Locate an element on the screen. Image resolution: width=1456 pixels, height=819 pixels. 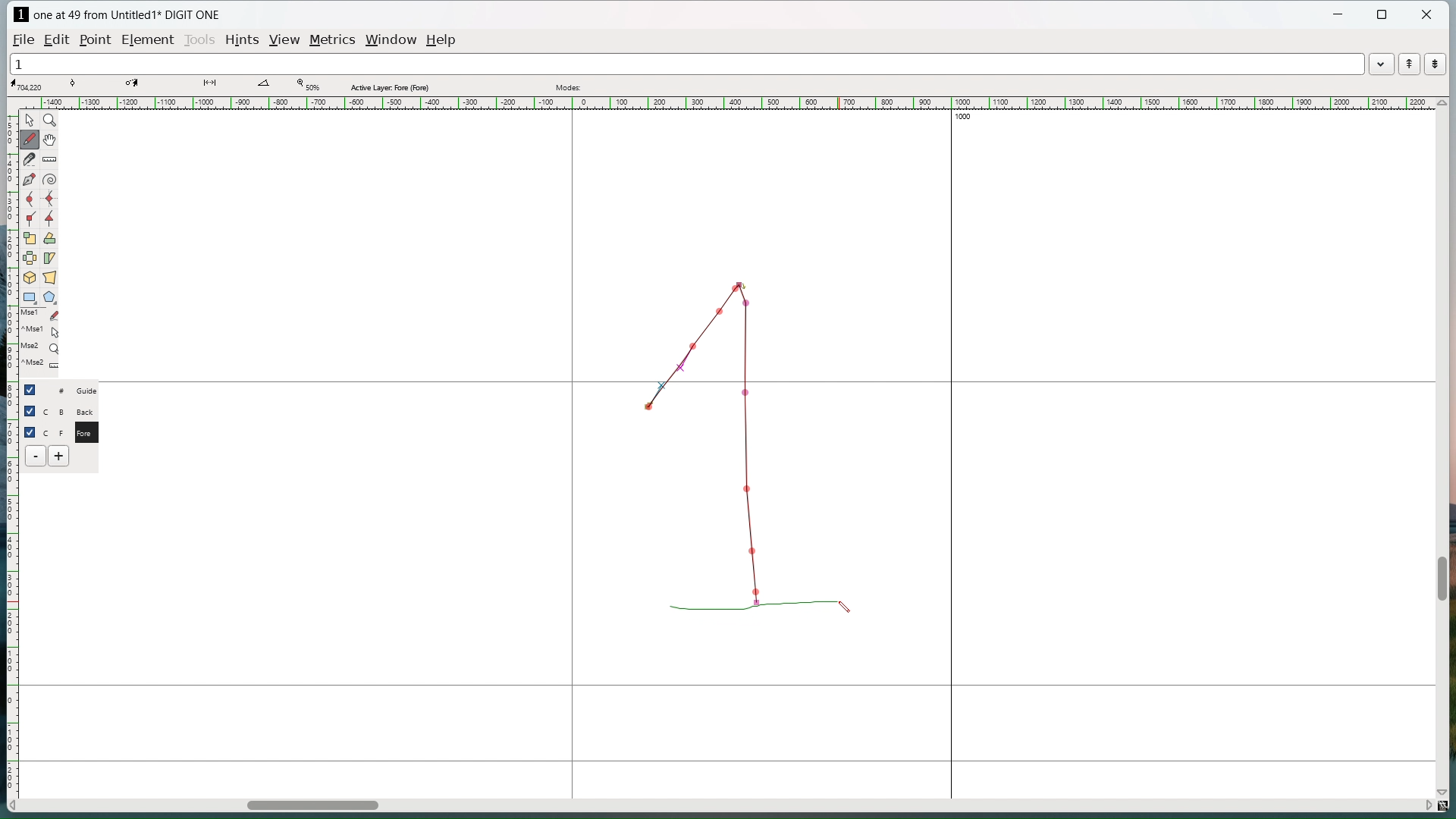
pointer is located at coordinates (30, 120).